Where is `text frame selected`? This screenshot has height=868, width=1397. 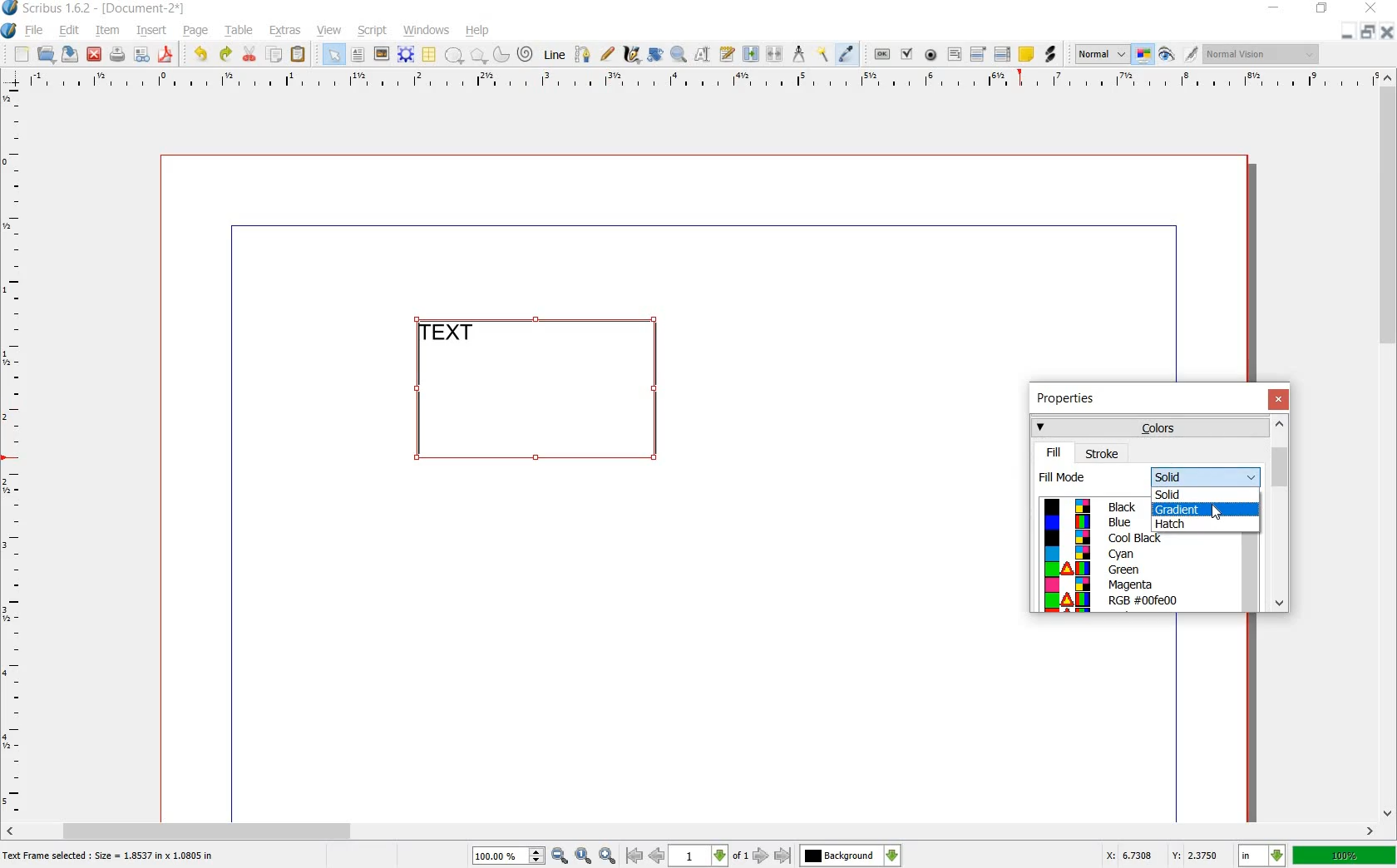 text frame selected is located at coordinates (550, 389).